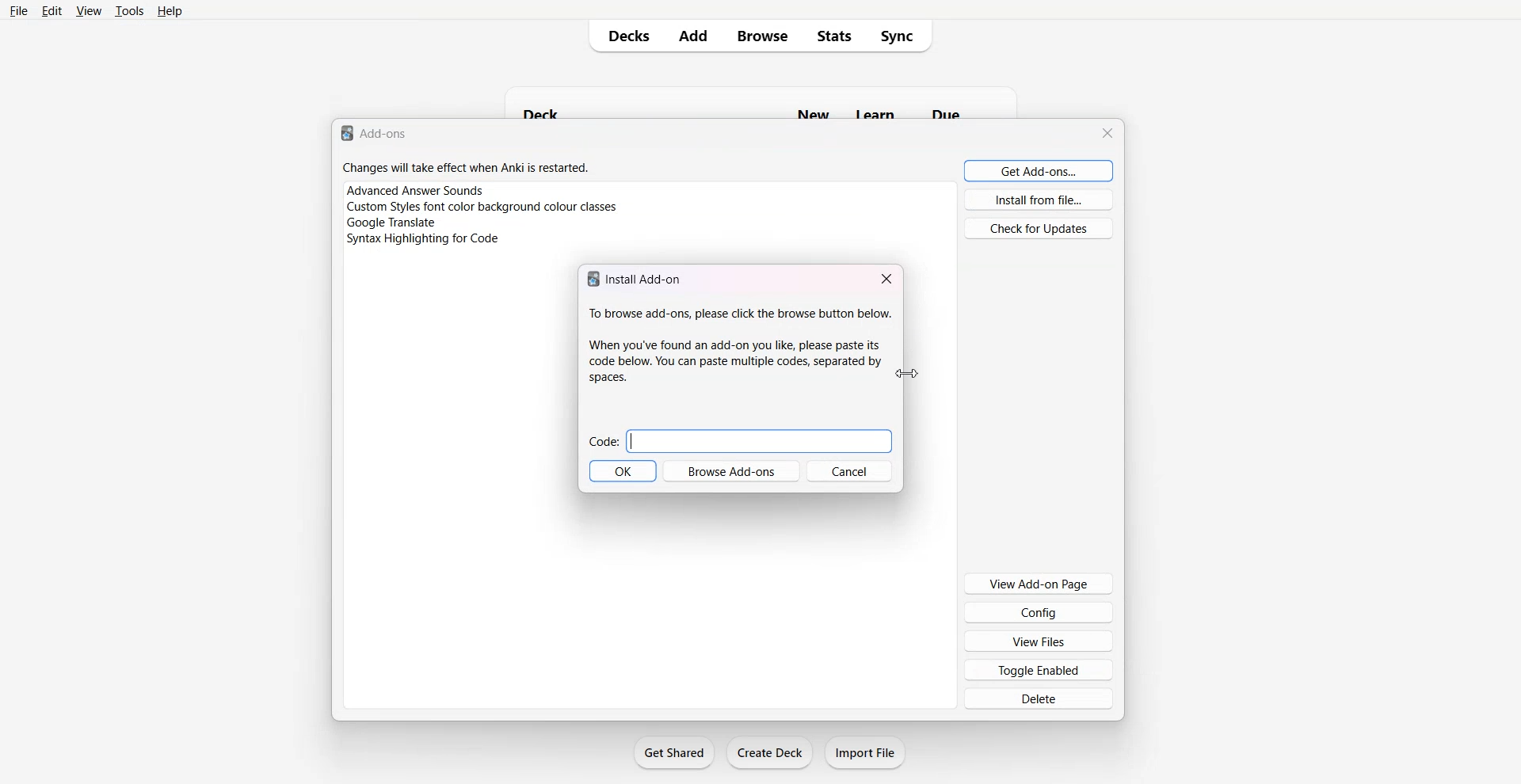  Describe the element at coordinates (88, 11) in the screenshot. I see `View` at that location.